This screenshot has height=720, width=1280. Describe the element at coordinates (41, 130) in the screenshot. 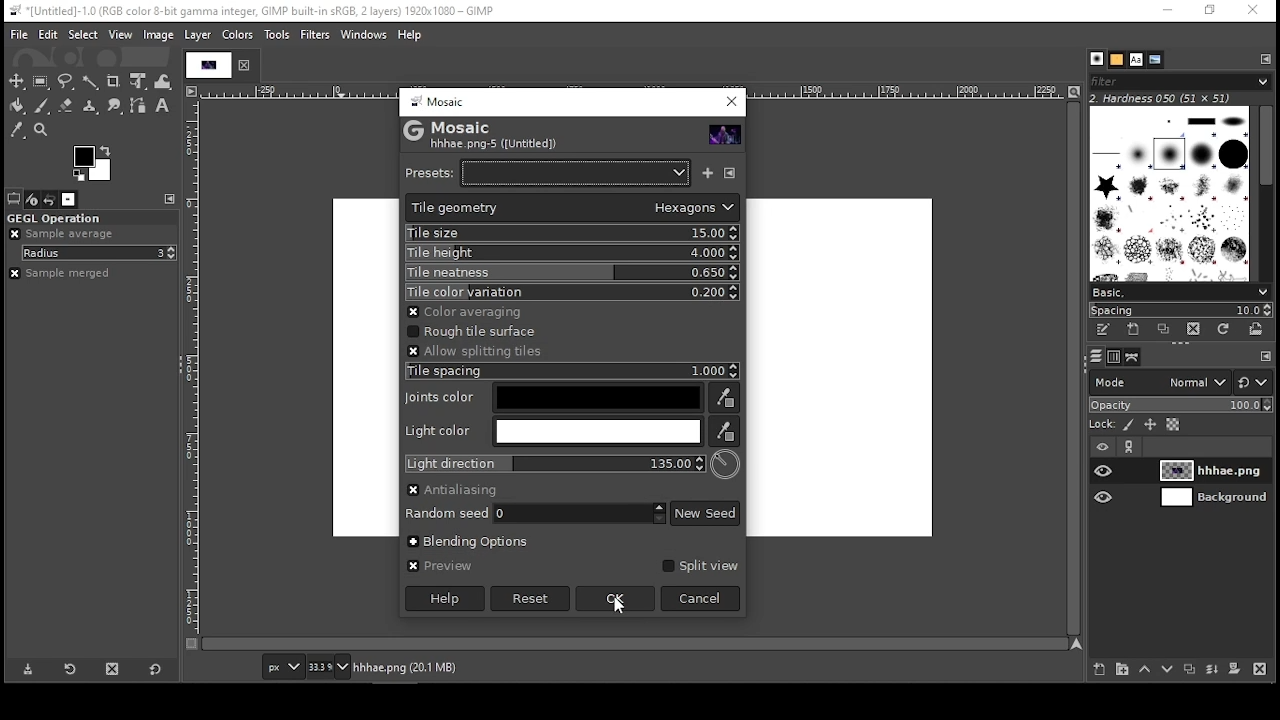

I see `zoom tool` at that location.